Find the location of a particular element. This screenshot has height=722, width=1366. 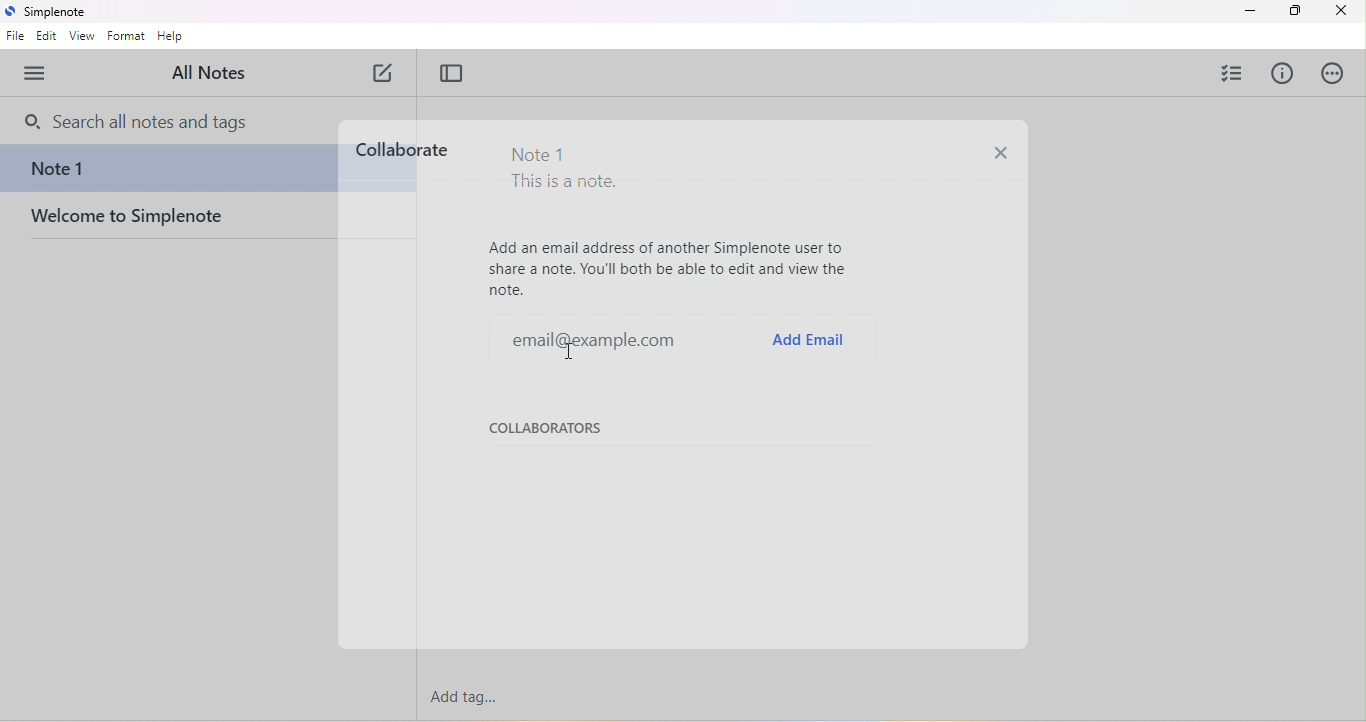

add email is located at coordinates (808, 339).